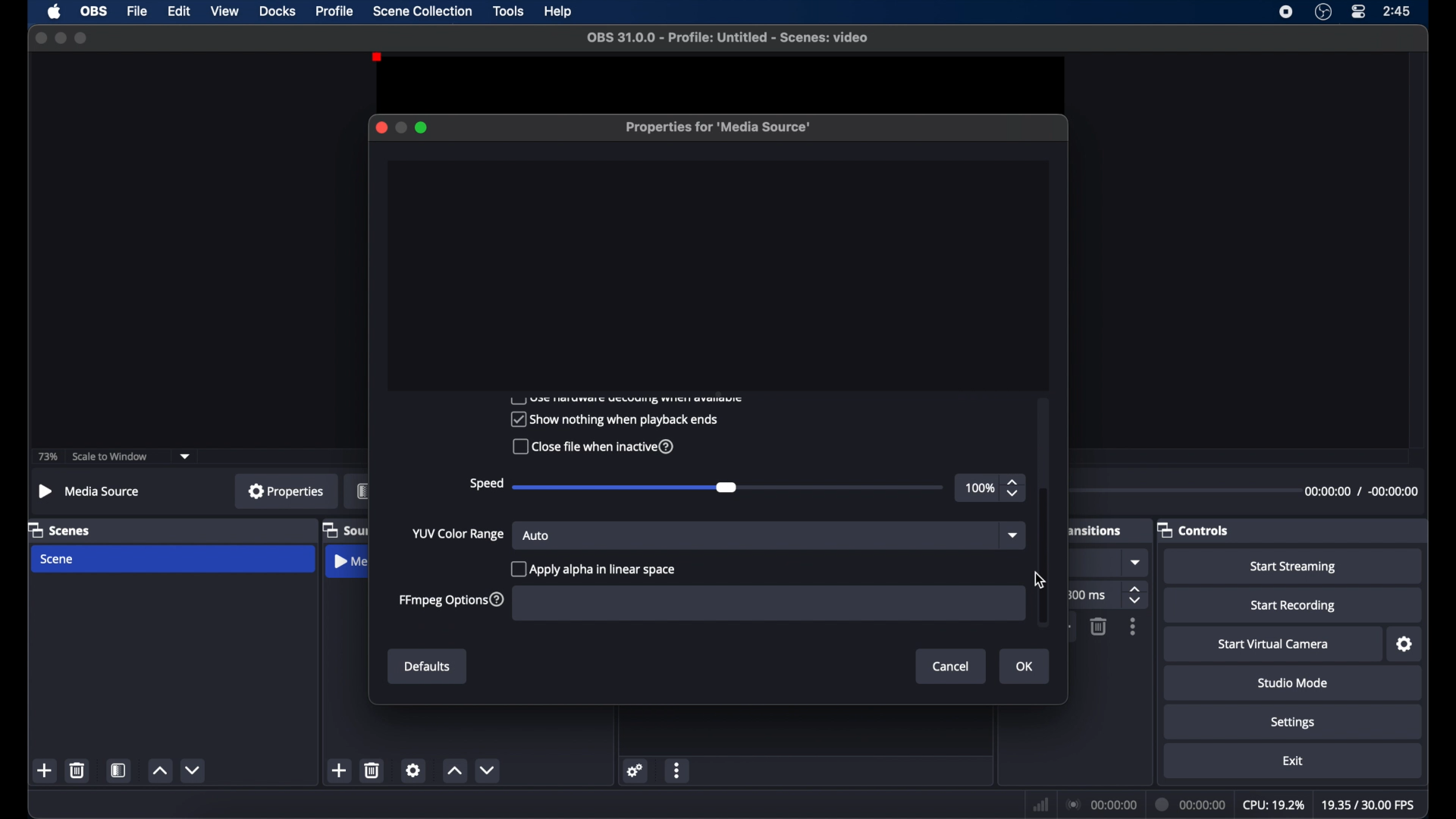 This screenshot has height=819, width=1456. What do you see at coordinates (1274, 645) in the screenshot?
I see `start virtual camera` at bounding box center [1274, 645].